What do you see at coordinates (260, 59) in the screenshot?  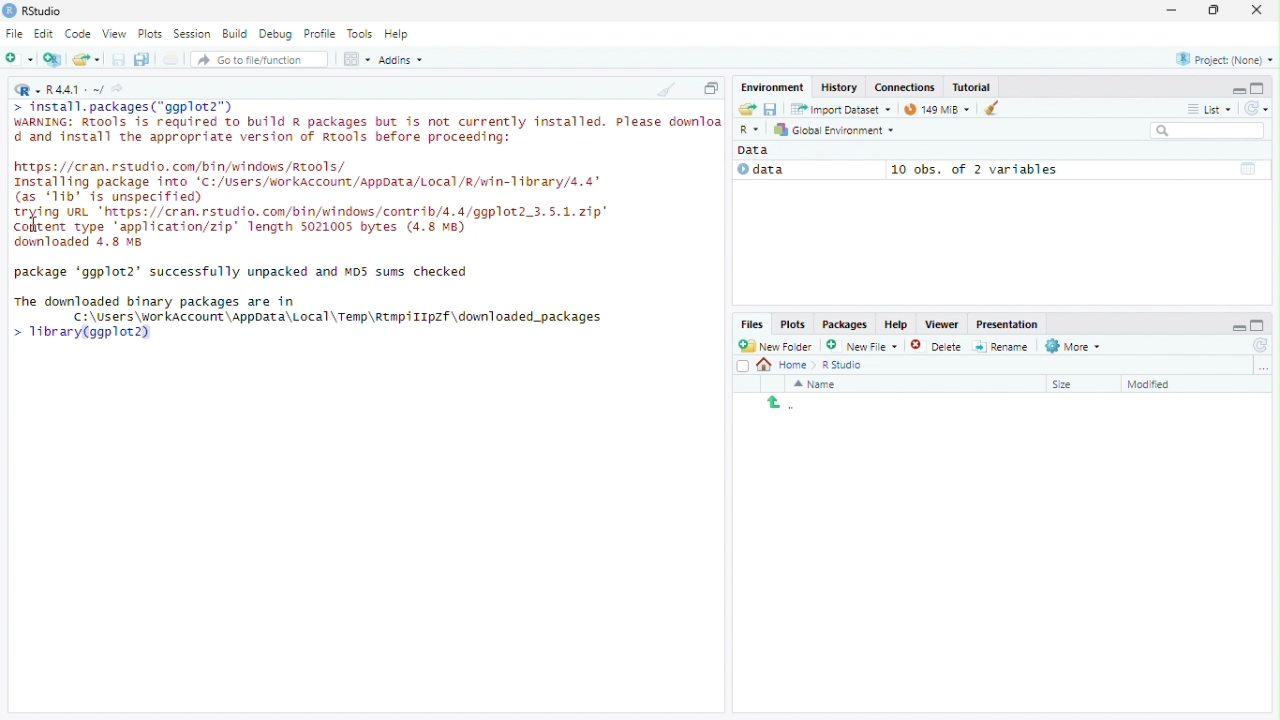 I see `Go to file/function` at bounding box center [260, 59].